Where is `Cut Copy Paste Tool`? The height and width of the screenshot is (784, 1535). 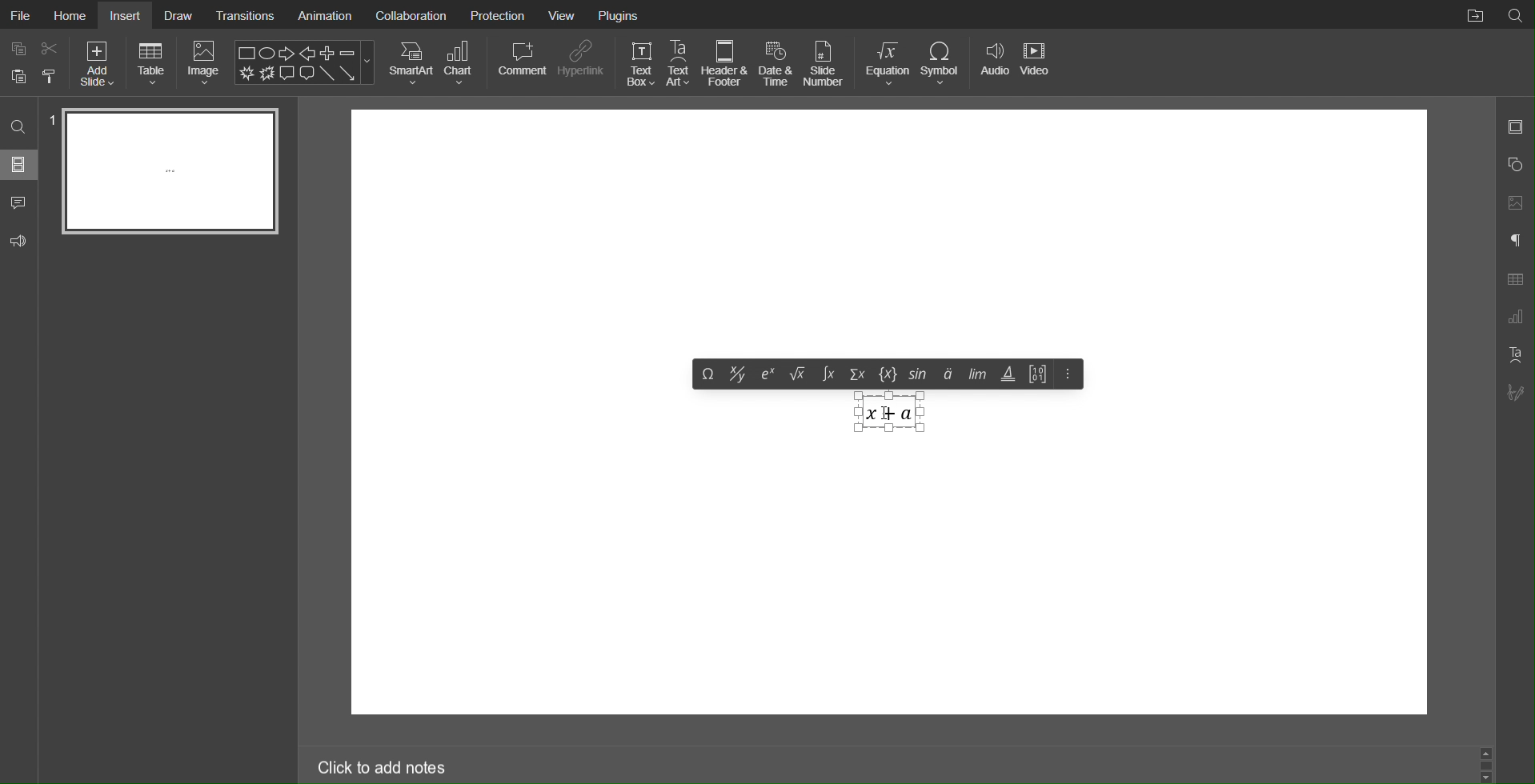 Cut Copy Paste Tool is located at coordinates (32, 64).